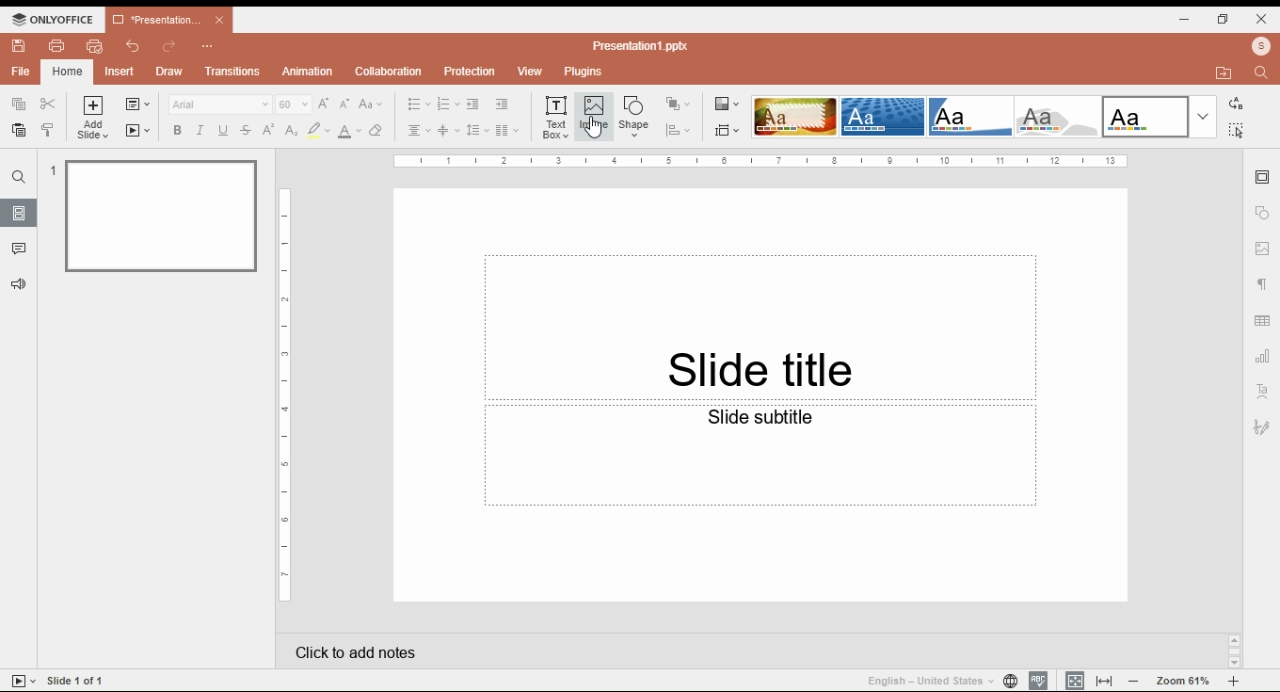  I want to click on shape settings, so click(1262, 214).